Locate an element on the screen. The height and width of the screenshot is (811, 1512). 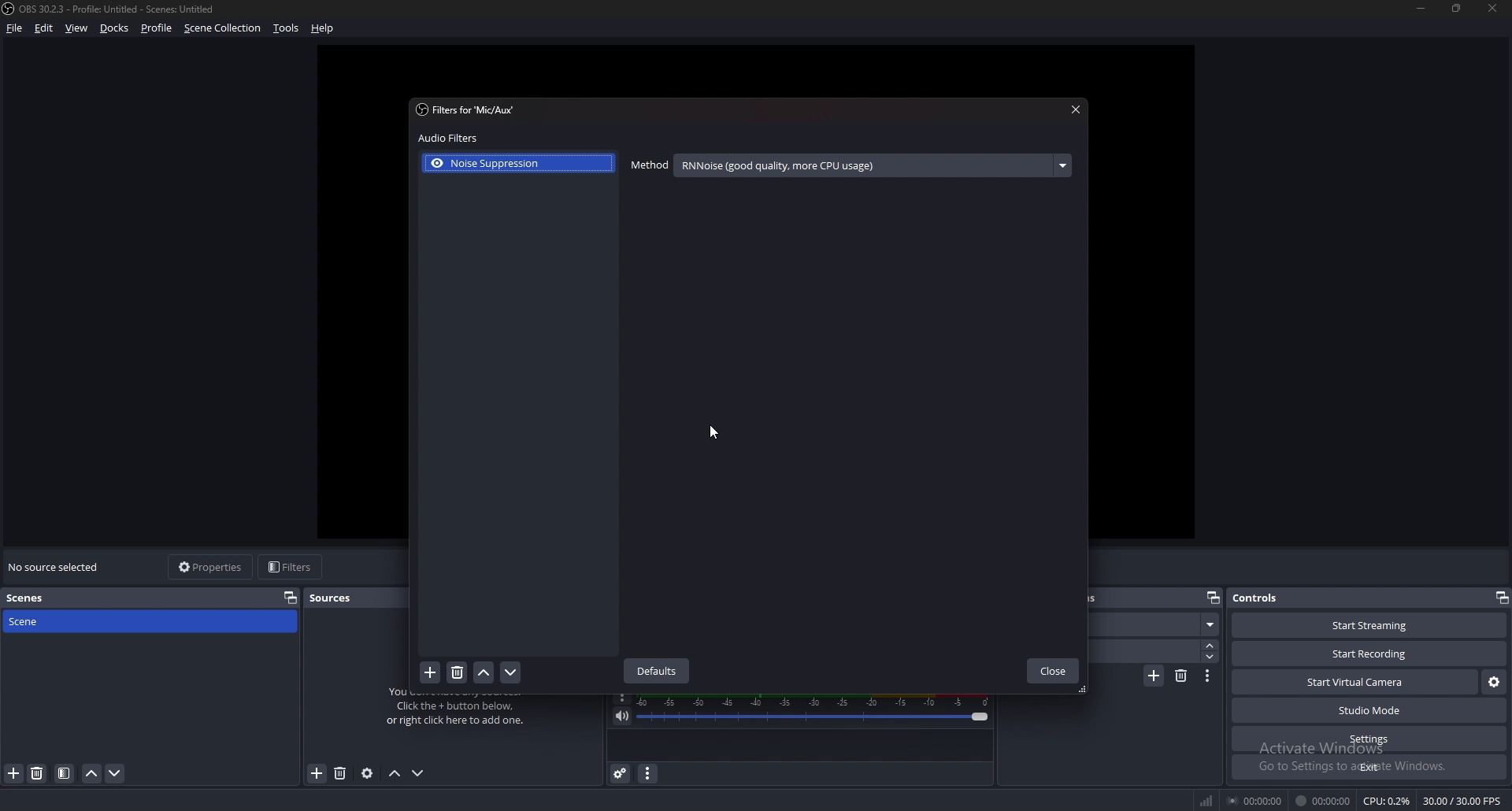
view is located at coordinates (76, 28).